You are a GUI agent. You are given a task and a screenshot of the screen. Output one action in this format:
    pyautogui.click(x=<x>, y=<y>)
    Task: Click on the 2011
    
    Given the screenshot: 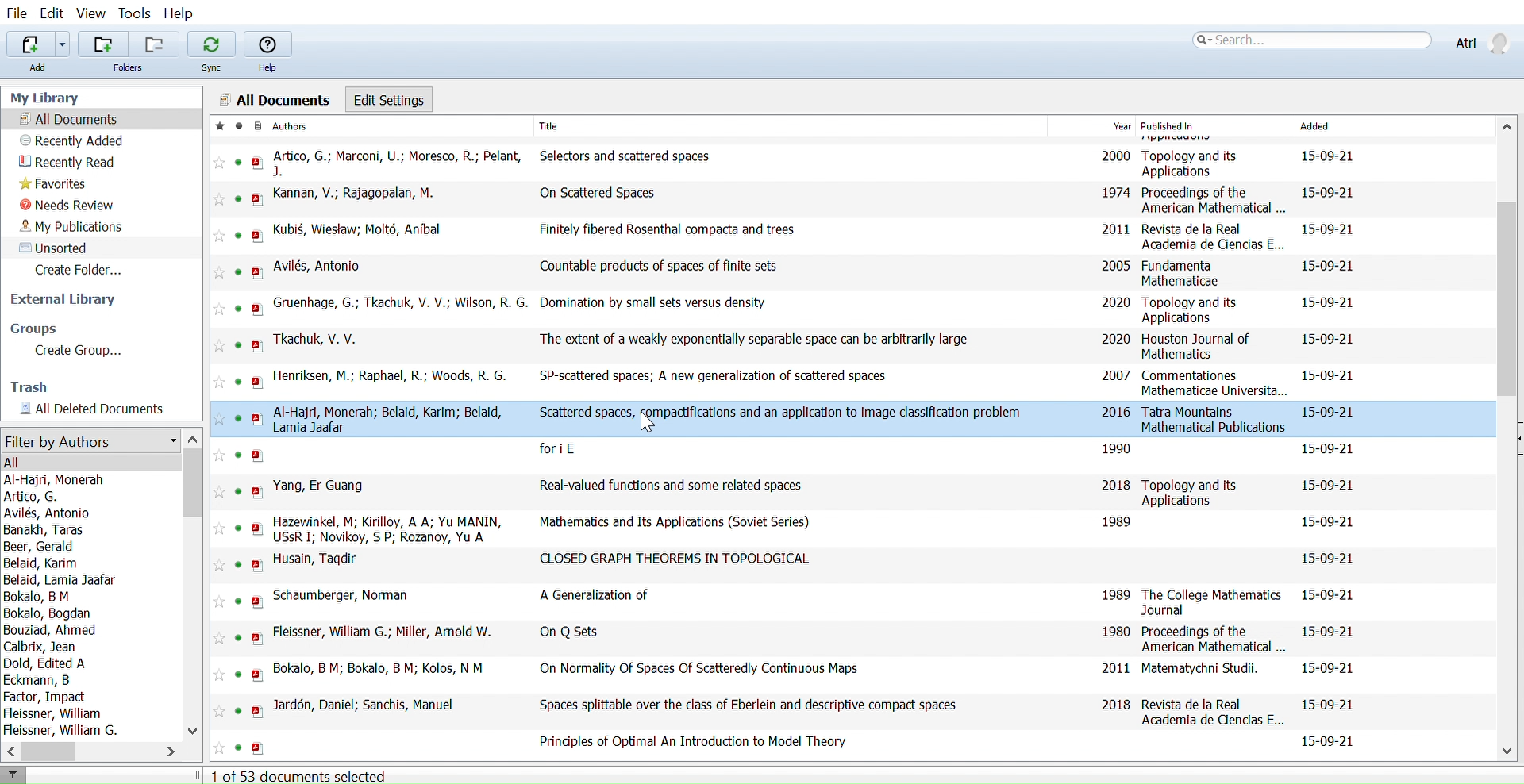 What is the action you would take?
    pyautogui.click(x=1115, y=668)
    